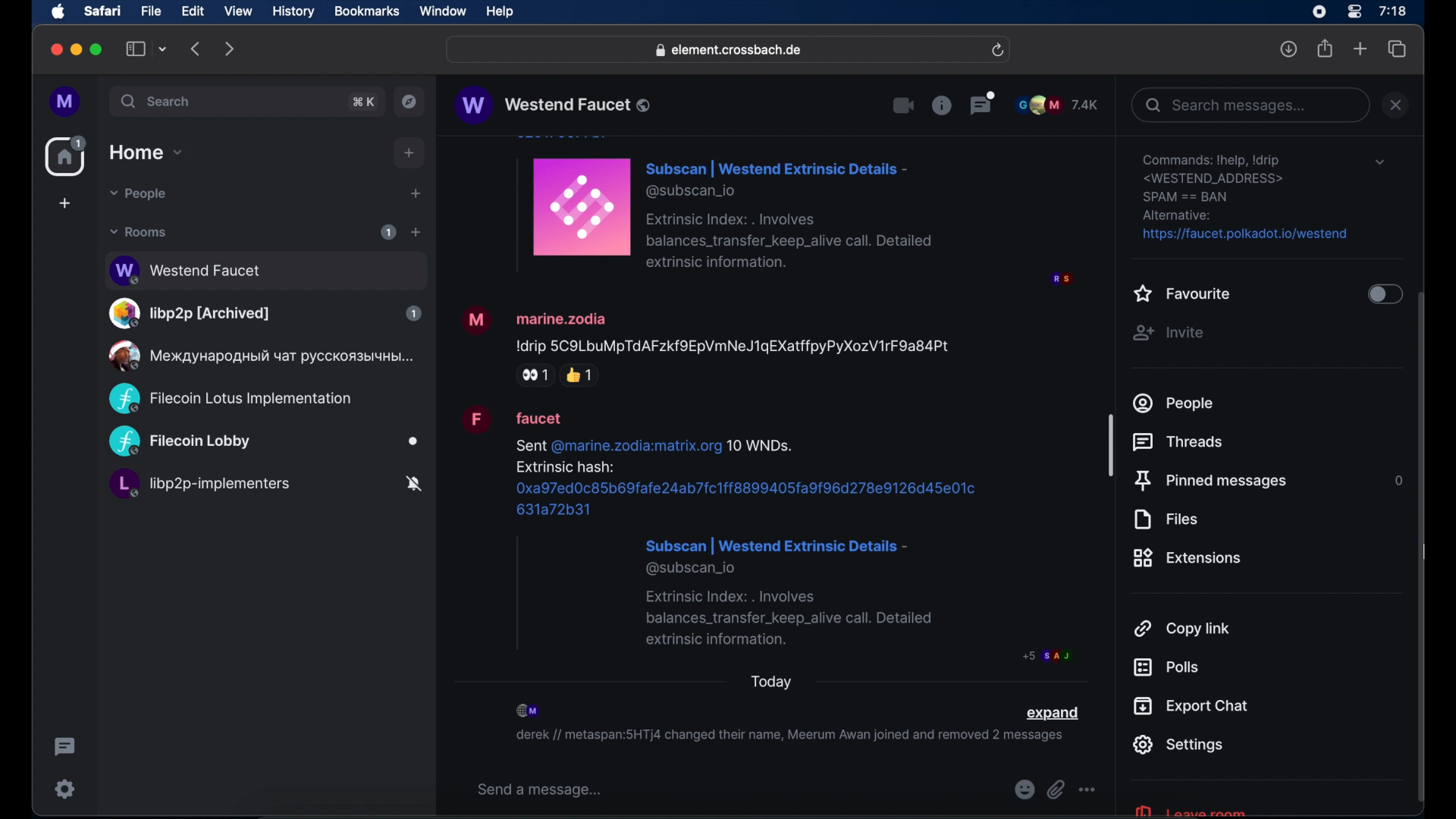 This screenshot has width=1456, height=819. What do you see at coordinates (157, 101) in the screenshot?
I see `search` at bounding box center [157, 101].